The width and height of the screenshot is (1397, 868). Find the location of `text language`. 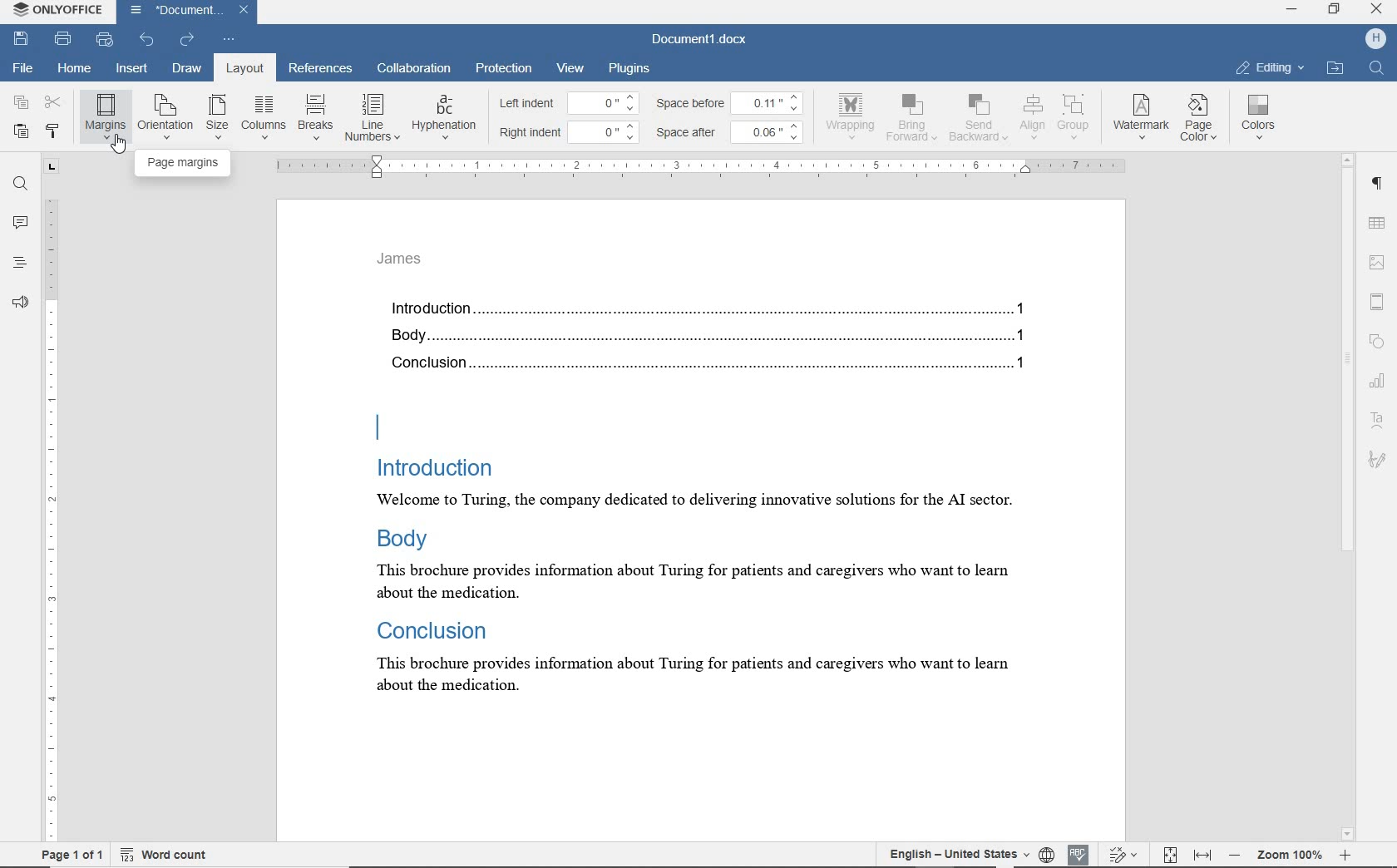

text language is located at coordinates (954, 853).